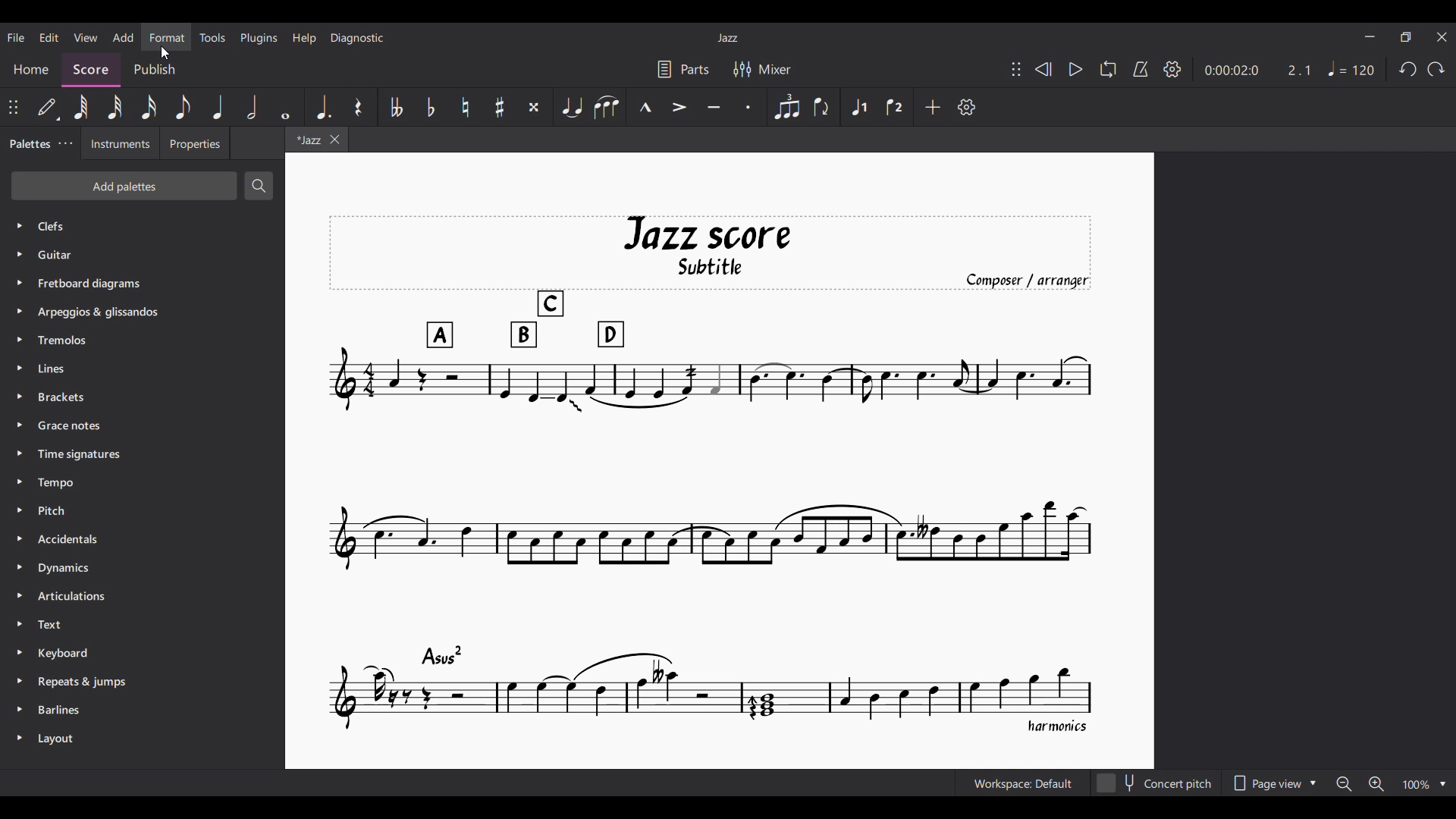 This screenshot has height=819, width=1456. What do you see at coordinates (1351, 68) in the screenshot?
I see `Tempo` at bounding box center [1351, 68].